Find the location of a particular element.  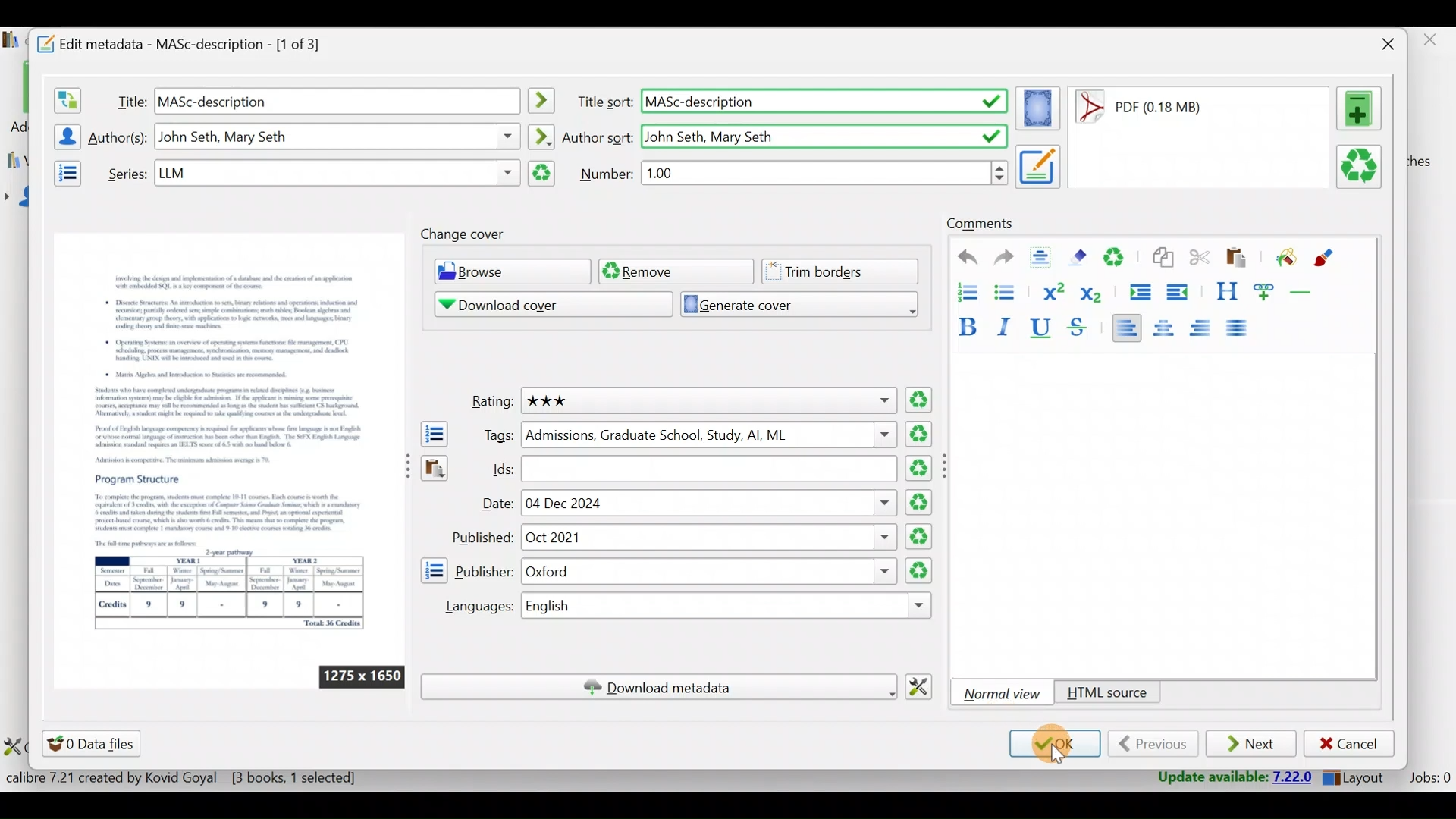

Clear date is located at coordinates (921, 500).